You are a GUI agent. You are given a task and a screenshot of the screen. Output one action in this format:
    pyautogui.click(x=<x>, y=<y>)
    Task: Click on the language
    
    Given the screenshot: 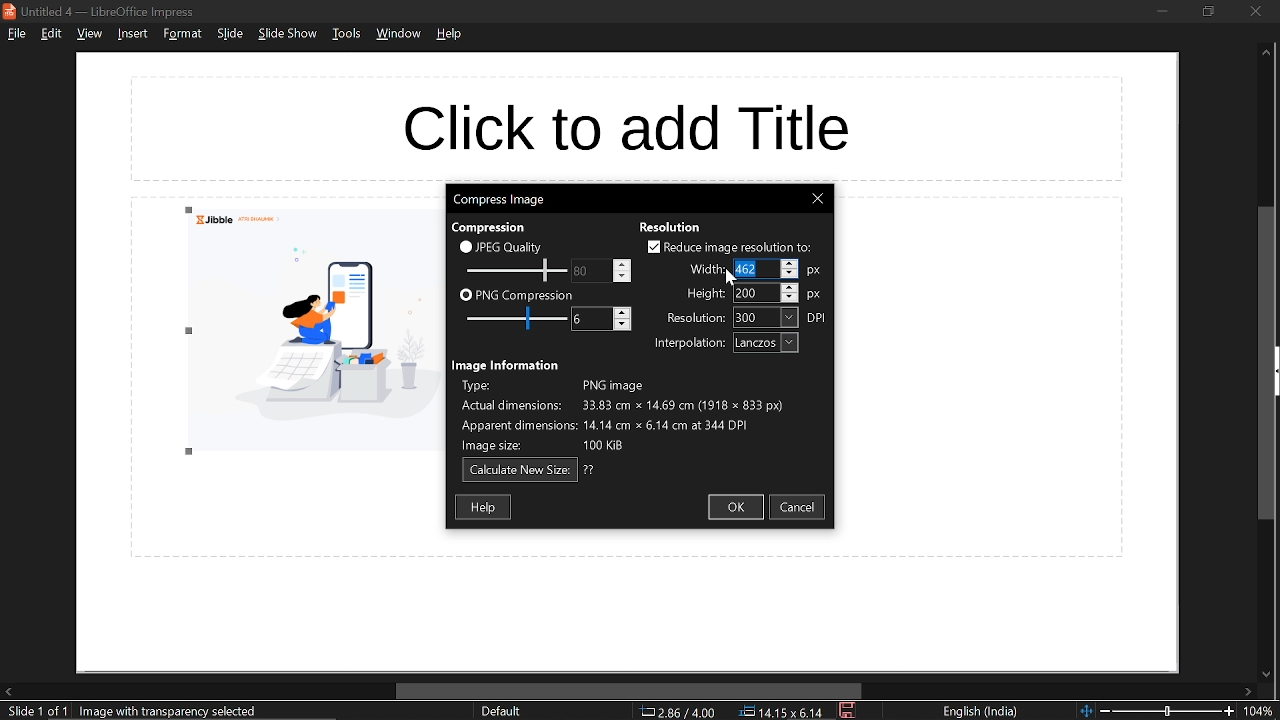 What is the action you would take?
    pyautogui.click(x=981, y=712)
    